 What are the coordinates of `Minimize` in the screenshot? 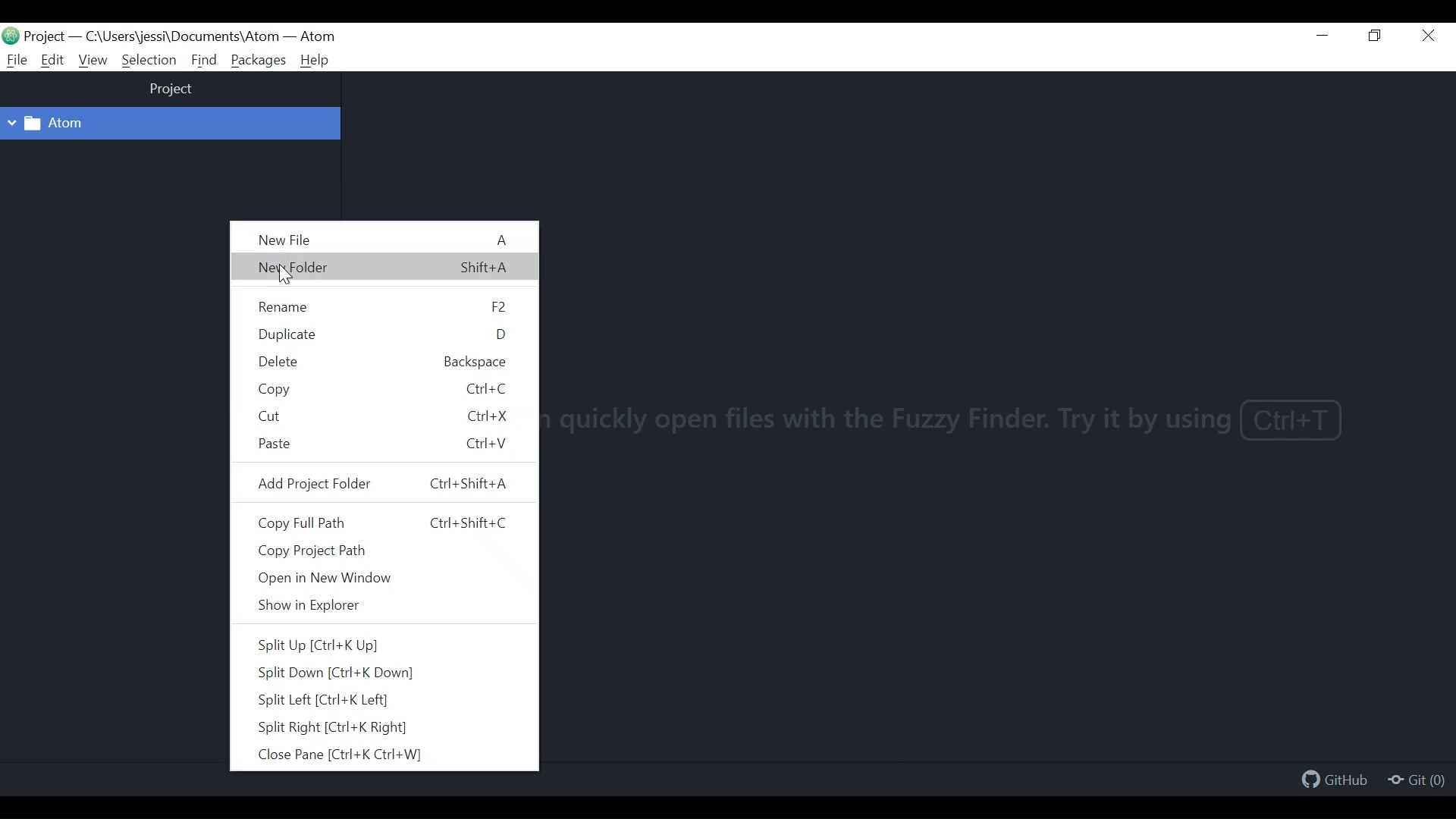 It's located at (1325, 37).